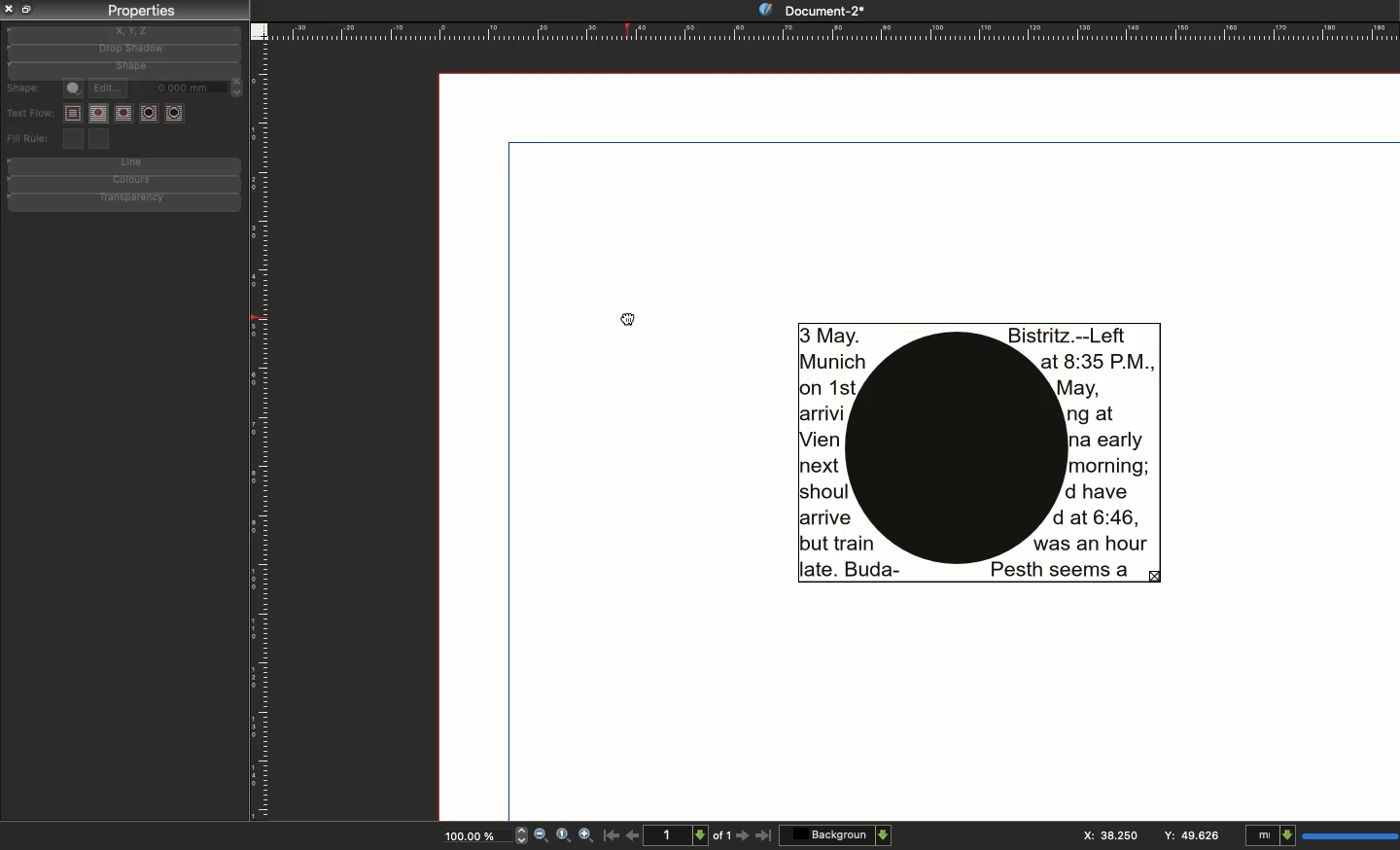 Image resolution: width=1400 pixels, height=850 pixels. What do you see at coordinates (1322, 833) in the screenshot?
I see `Units` at bounding box center [1322, 833].